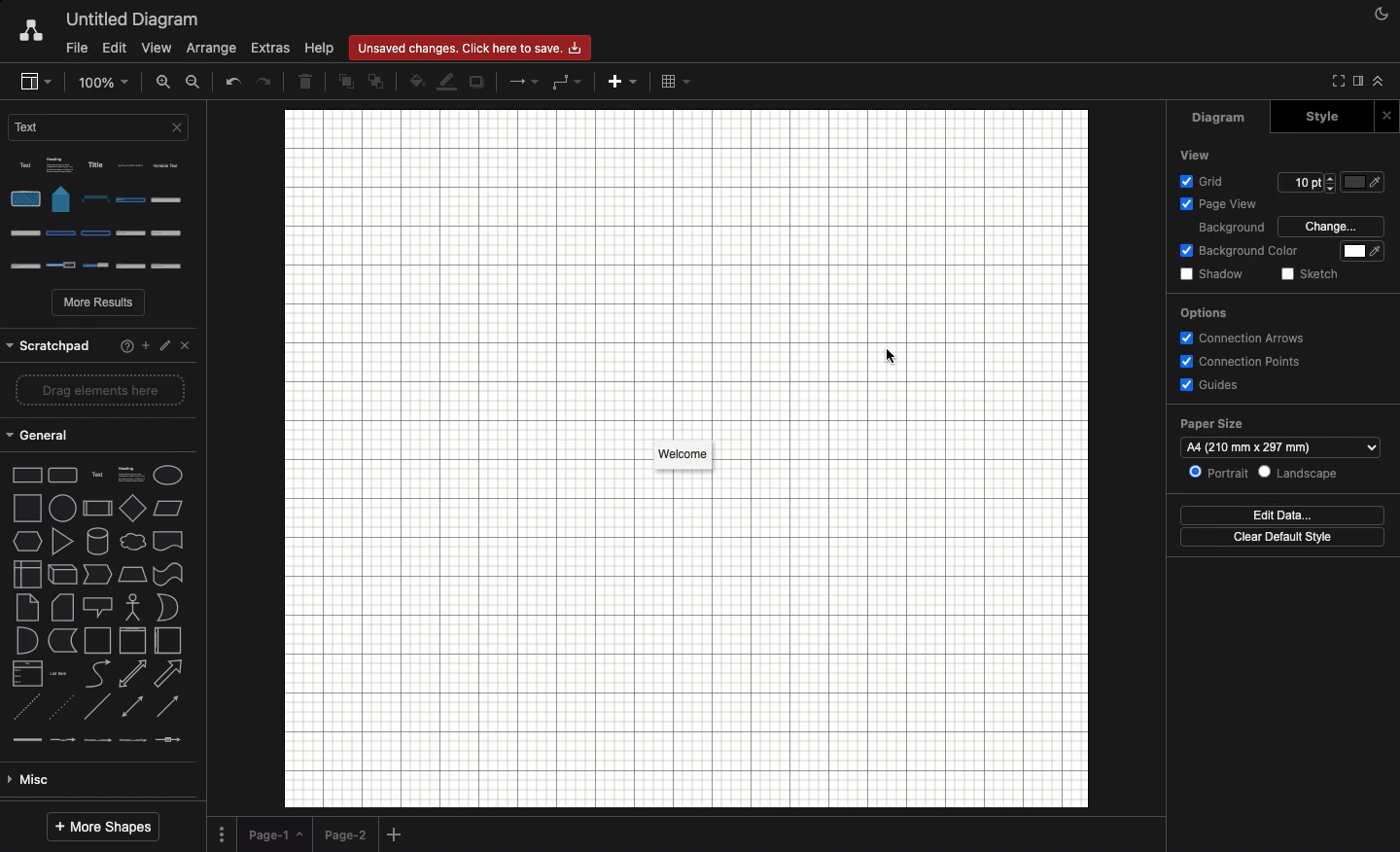 This screenshot has width=1400, height=852. I want to click on Font, so click(1186, 157).